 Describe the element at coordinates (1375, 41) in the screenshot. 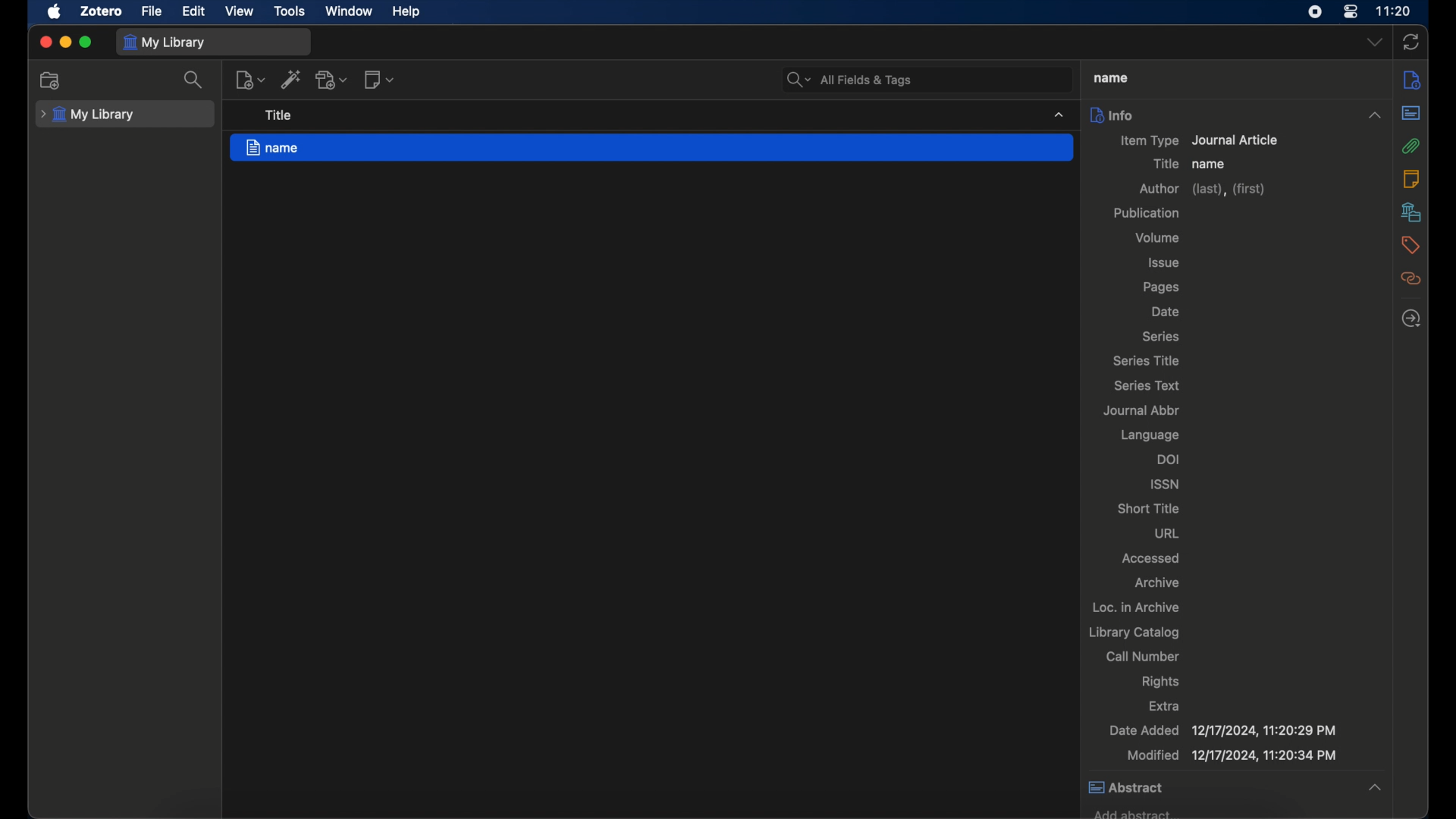

I see `dropdown` at that location.